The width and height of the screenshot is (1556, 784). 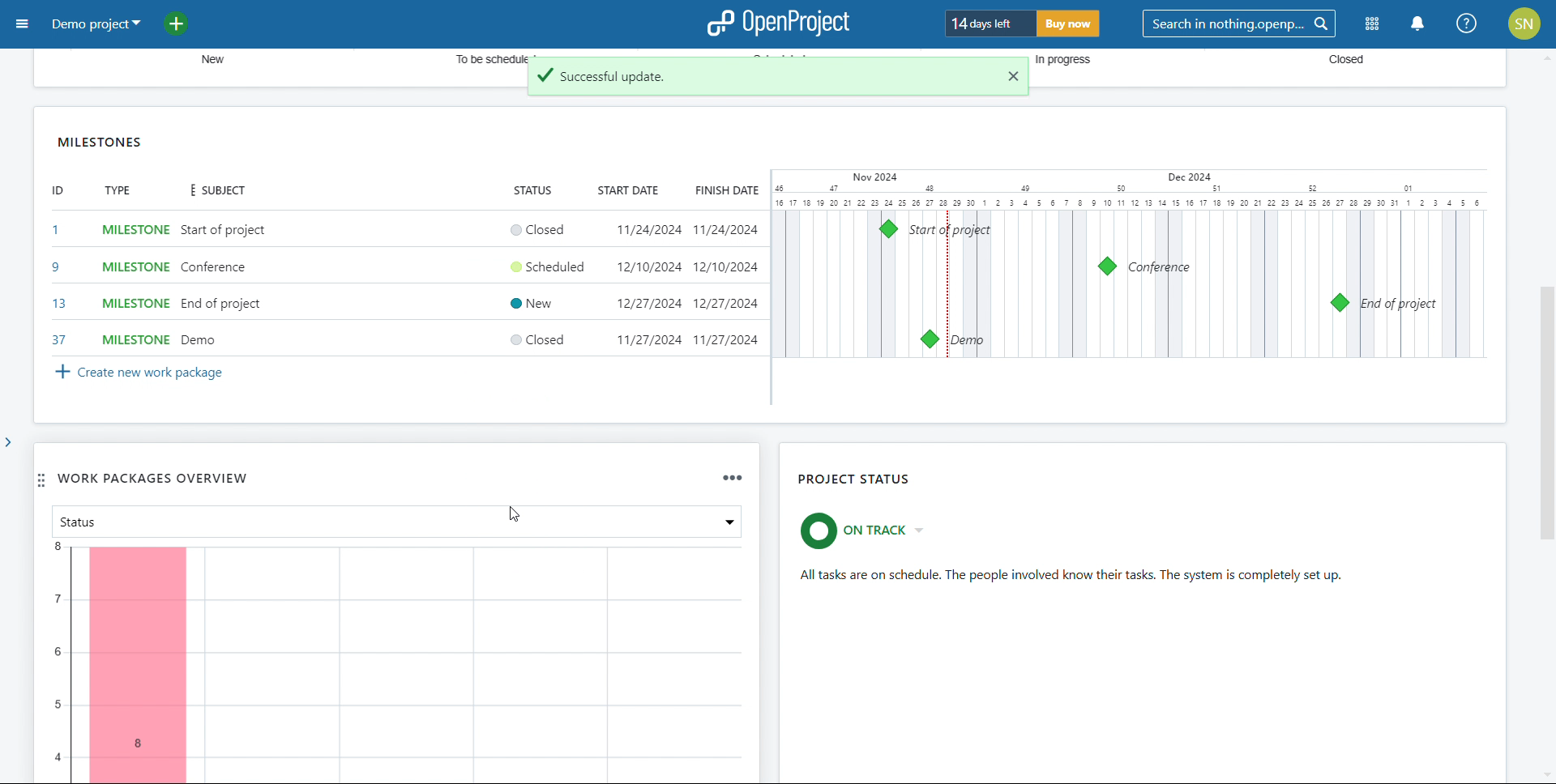 What do you see at coordinates (521, 518) in the screenshot?
I see `cursor` at bounding box center [521, 518].